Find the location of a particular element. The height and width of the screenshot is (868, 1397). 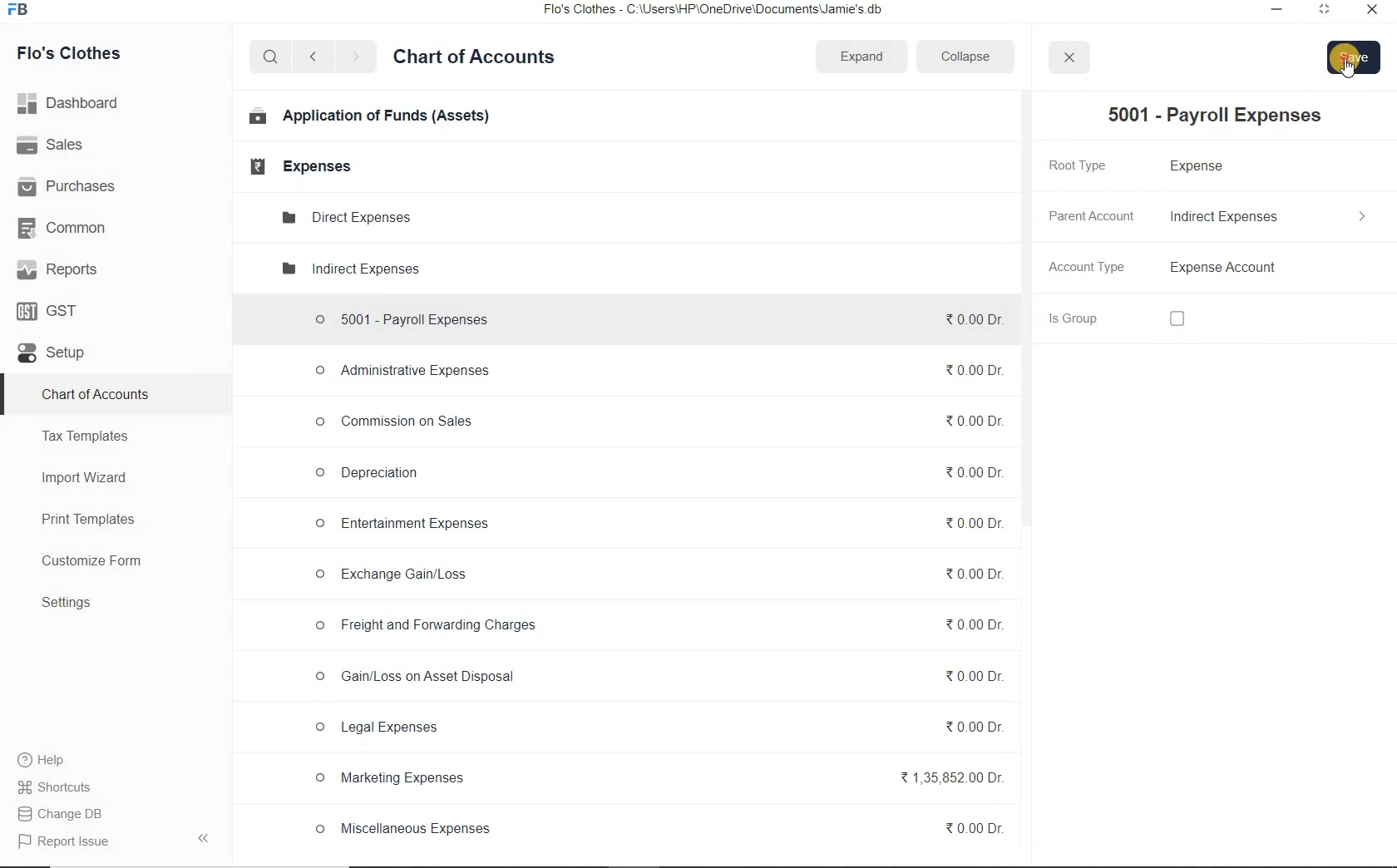

Dashboard is located at coordinates (72, 101).